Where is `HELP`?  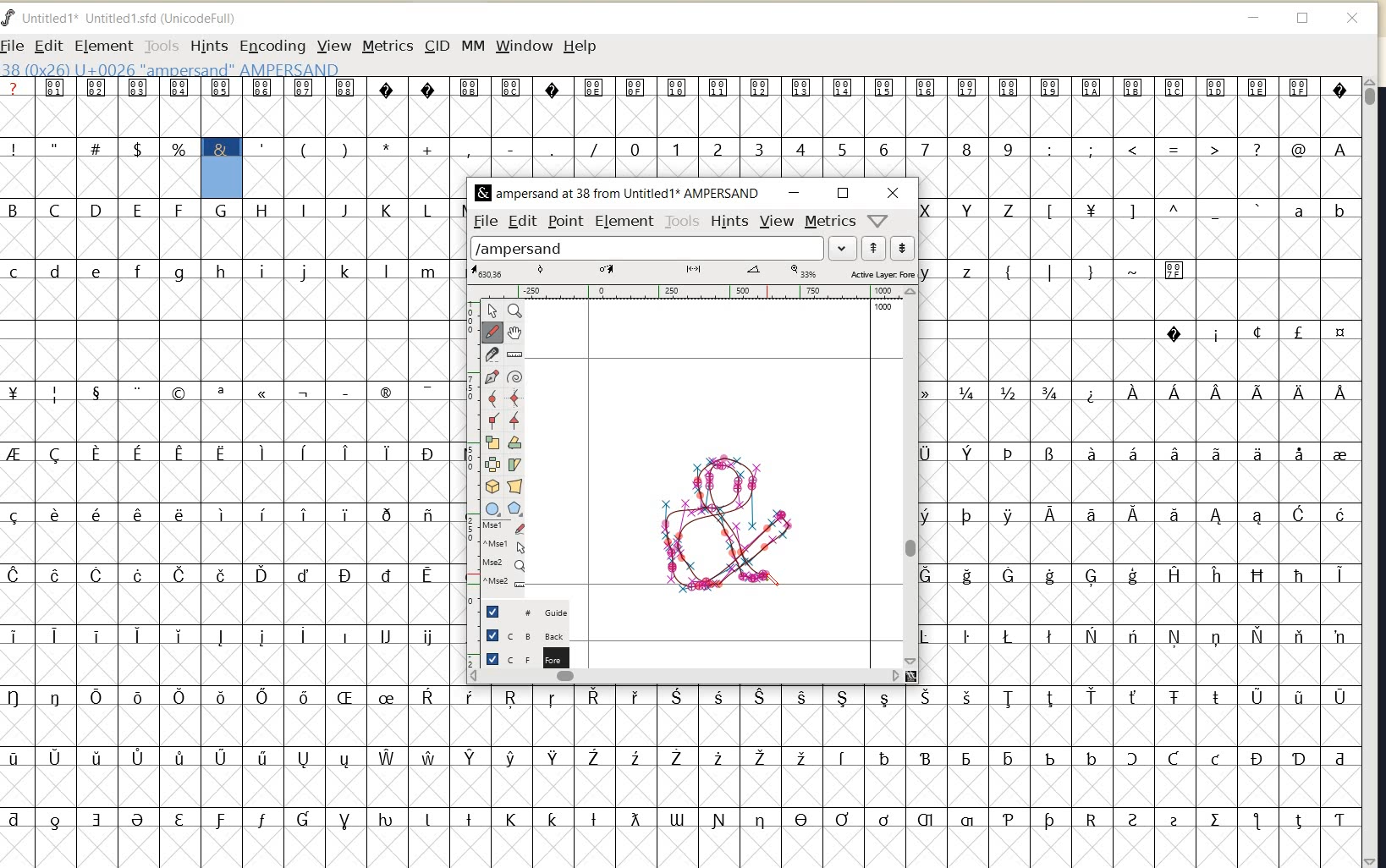 HELP is located at coordinates (580, 47).